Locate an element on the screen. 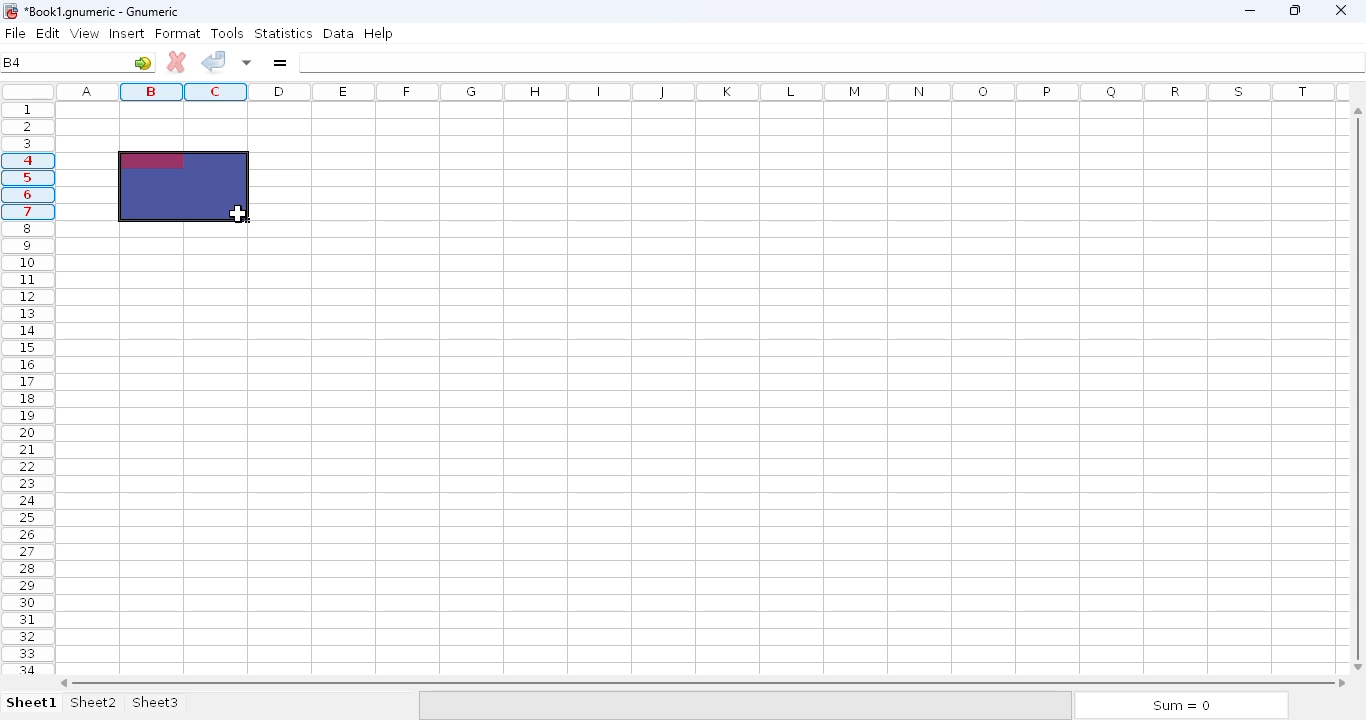  statistics is located at coordinates (283, 33).